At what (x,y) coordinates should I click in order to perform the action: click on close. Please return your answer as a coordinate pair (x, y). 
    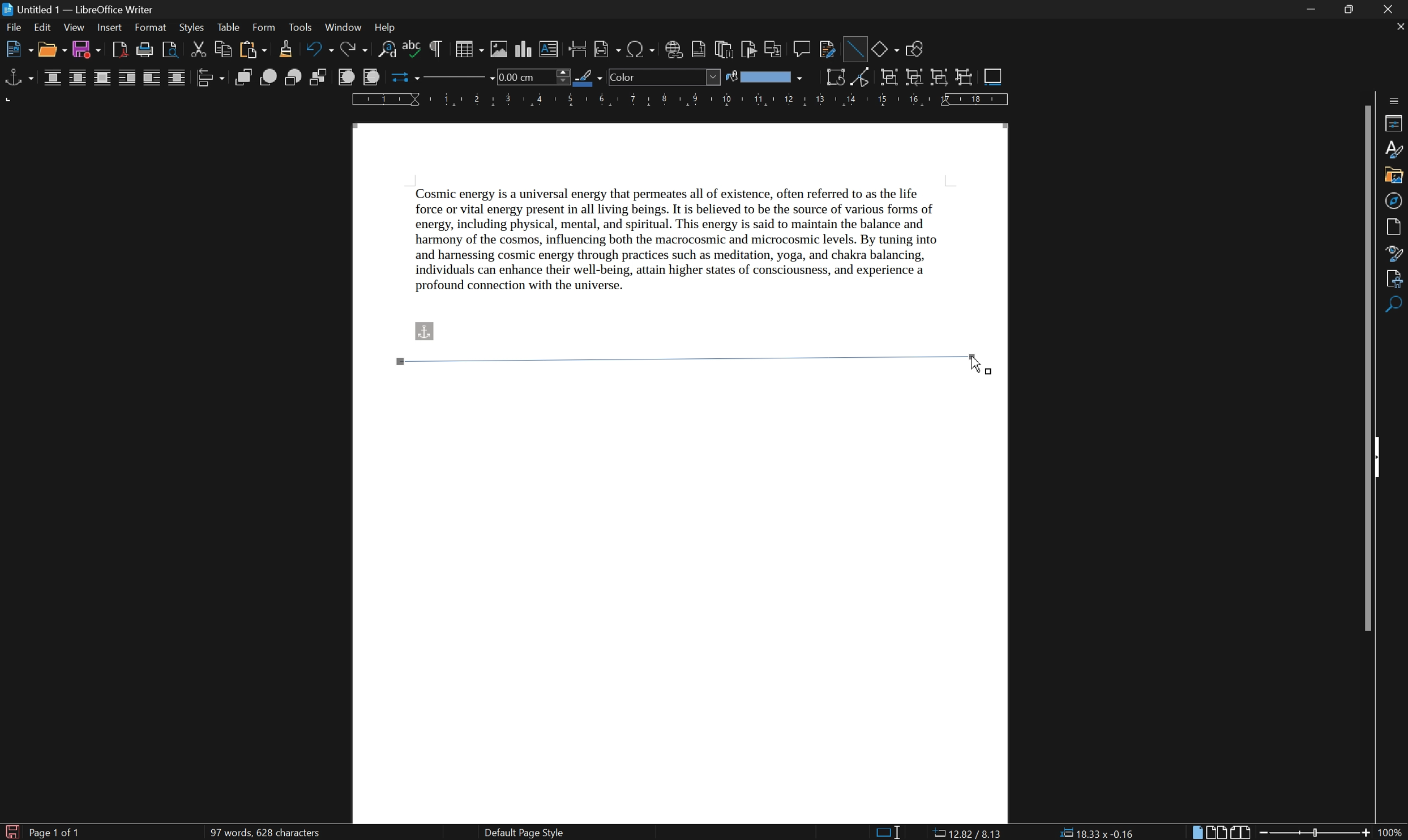
    Looking at the image, I should click on (1393, 9).